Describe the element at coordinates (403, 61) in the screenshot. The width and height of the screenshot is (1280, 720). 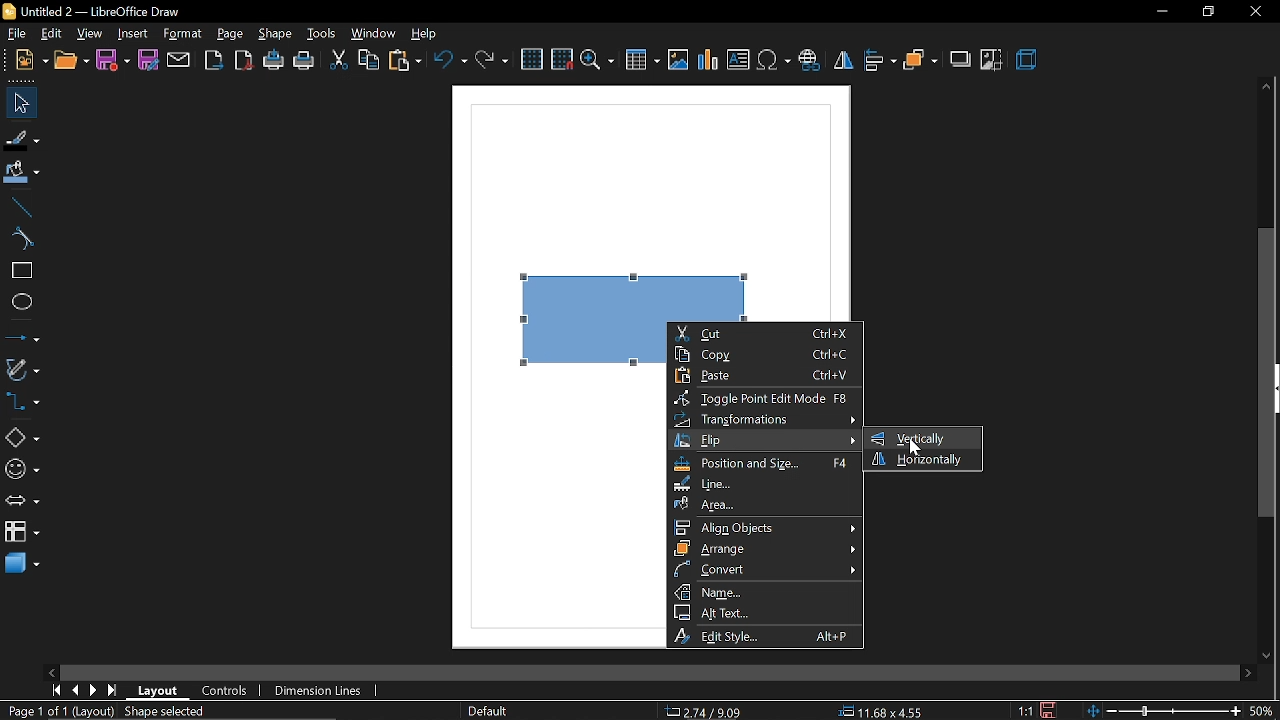
I see `paste` at that location.